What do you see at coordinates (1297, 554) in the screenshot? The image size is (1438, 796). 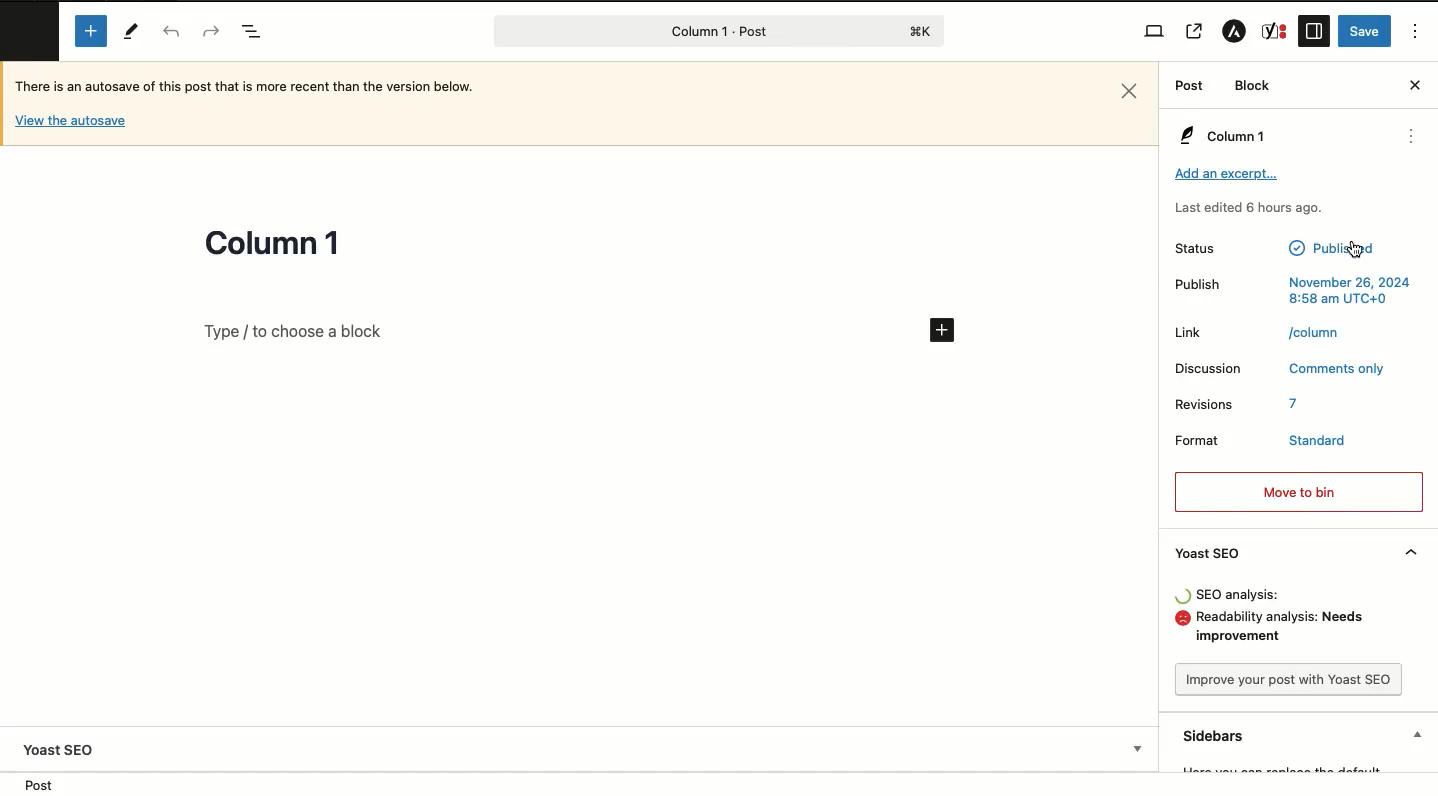 I see `Yoast SEO` at bounding box center [1297, 554].